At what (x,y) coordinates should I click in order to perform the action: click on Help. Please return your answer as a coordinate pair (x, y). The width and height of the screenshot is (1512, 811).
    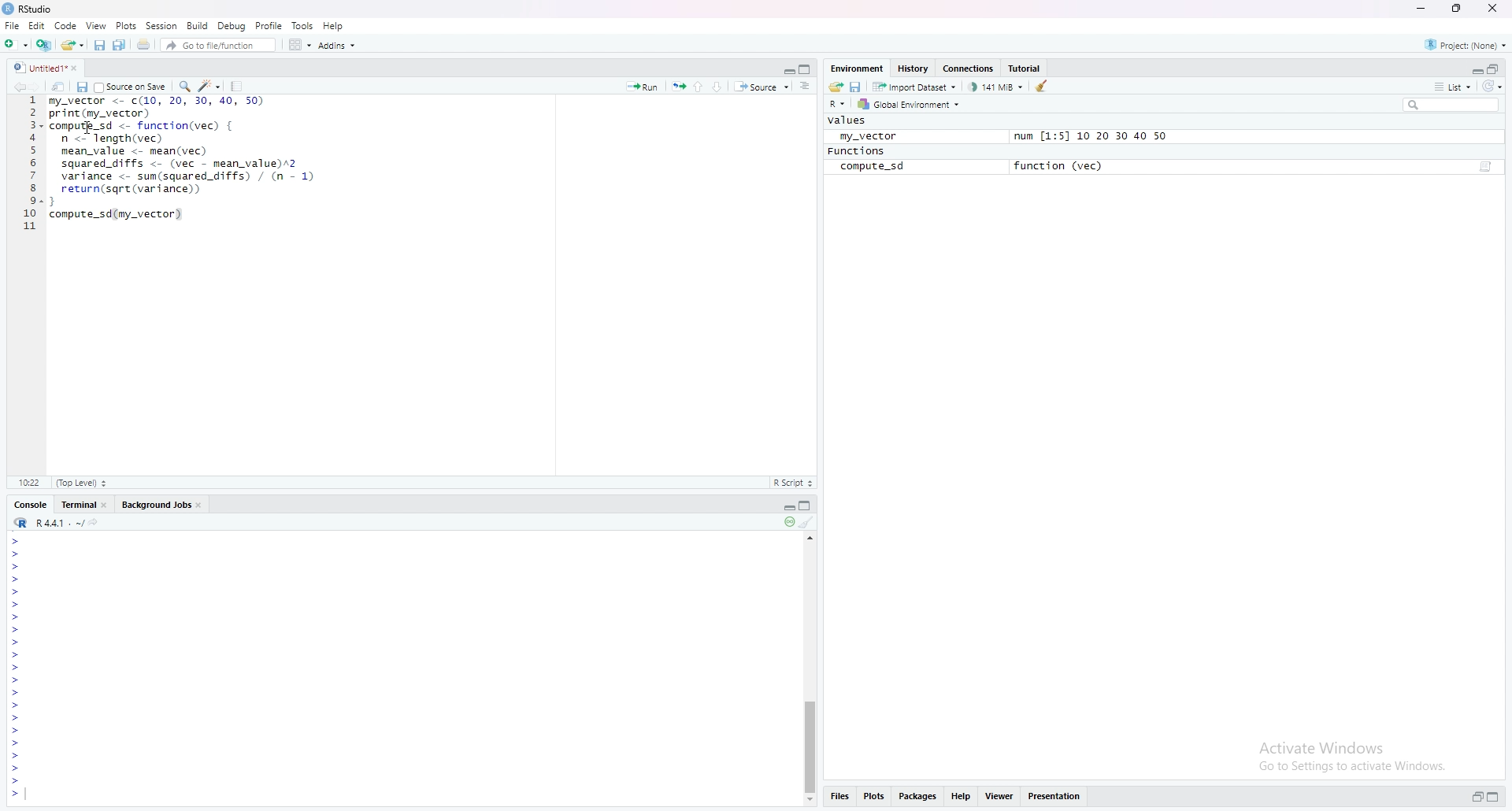
    Looking at the image, I should click on (334, 24).